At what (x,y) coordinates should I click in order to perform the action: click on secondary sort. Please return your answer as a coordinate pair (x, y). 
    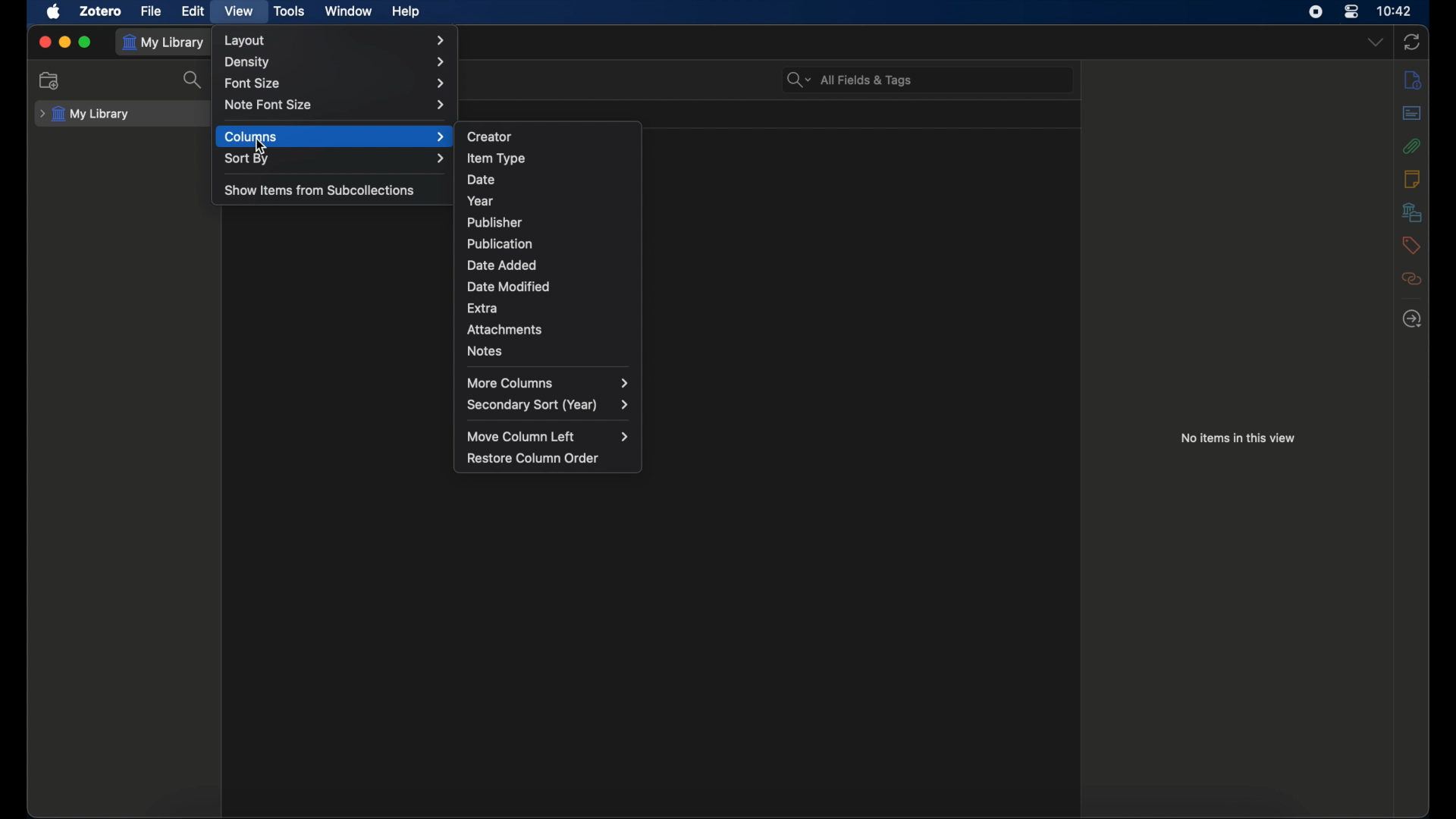
    Looking at the image, I should click on (549, 405).